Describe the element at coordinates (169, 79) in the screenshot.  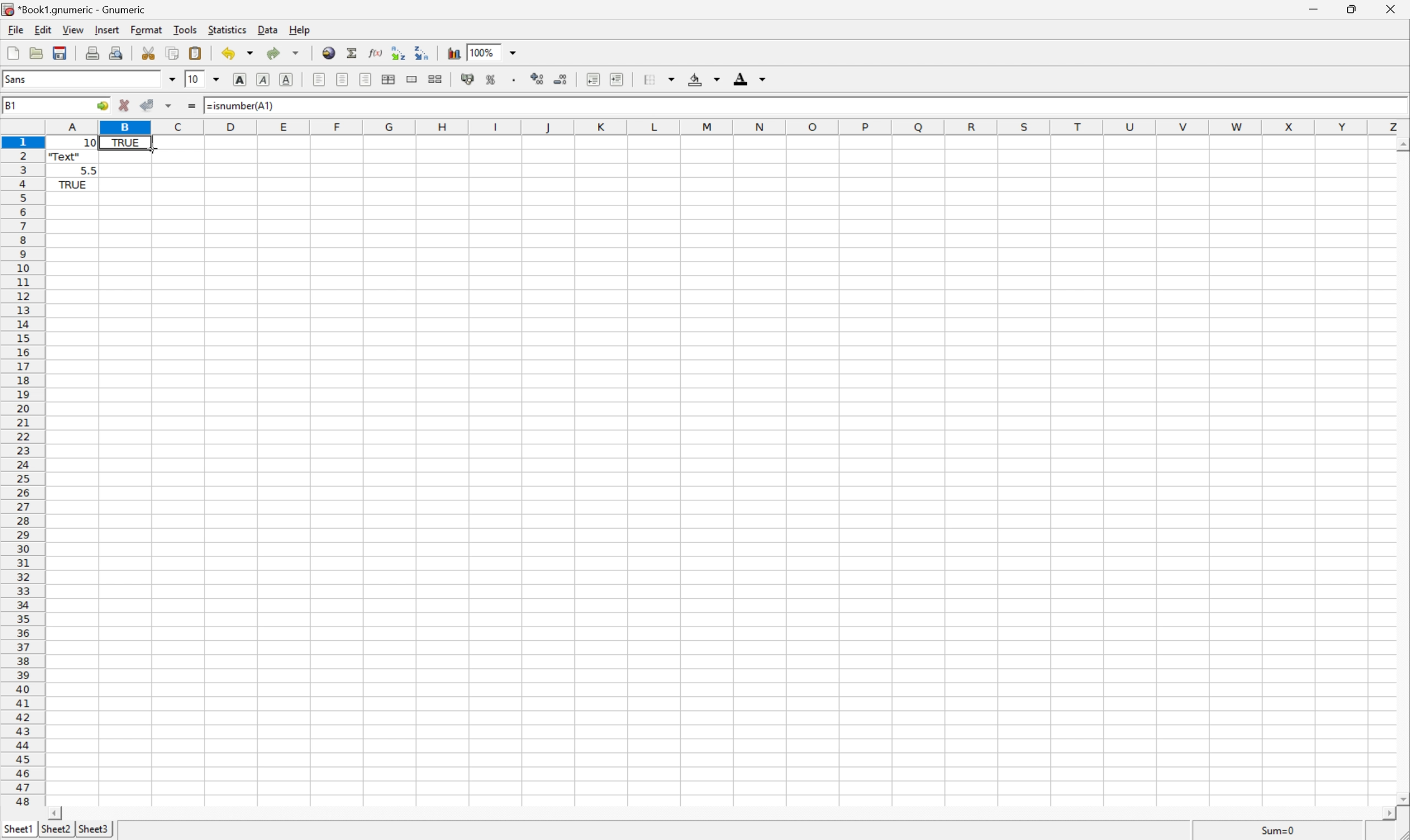
I see `Drop Down` at that location.